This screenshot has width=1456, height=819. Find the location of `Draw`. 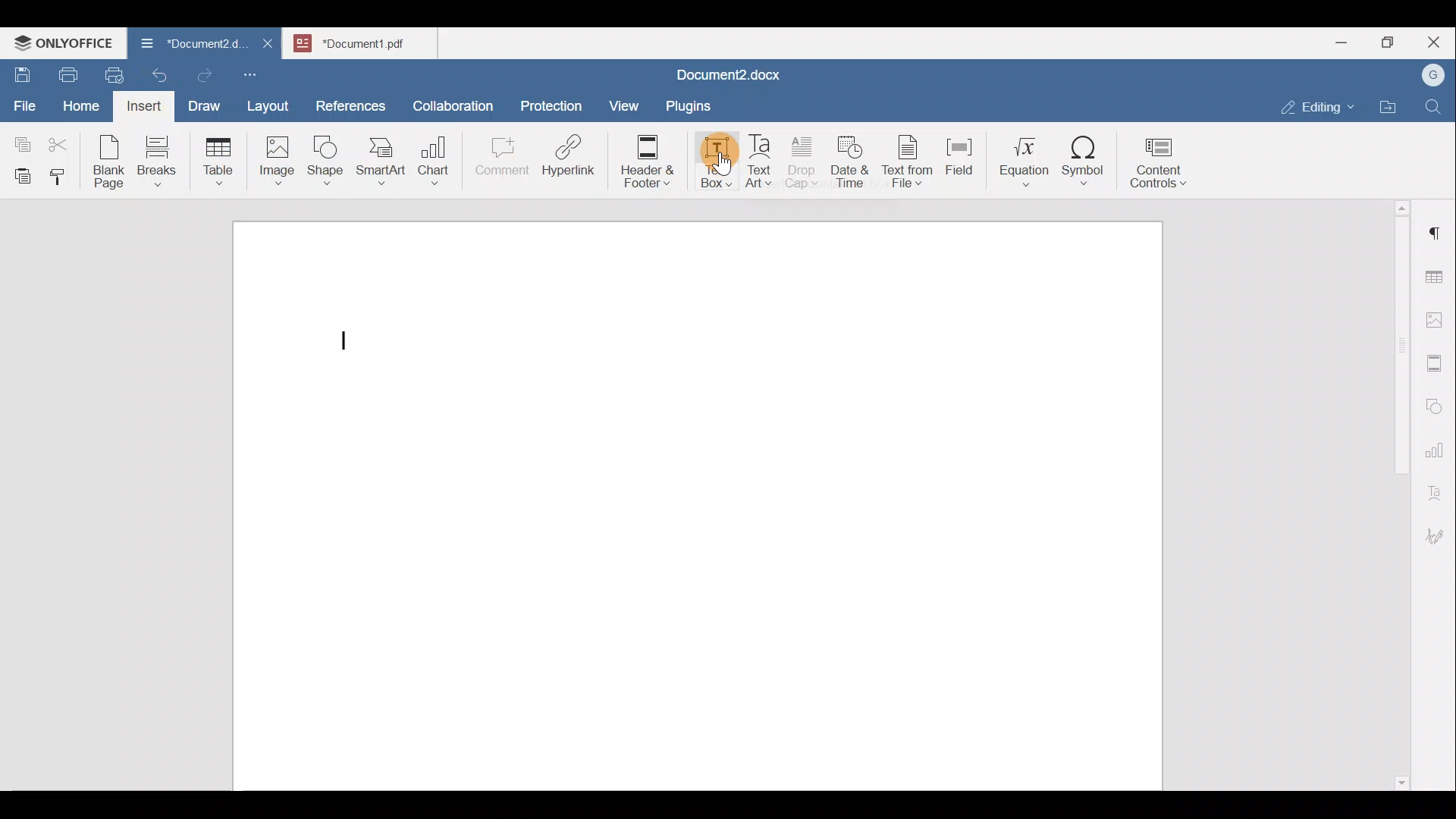

Draw is located at coordinates (202, 102).